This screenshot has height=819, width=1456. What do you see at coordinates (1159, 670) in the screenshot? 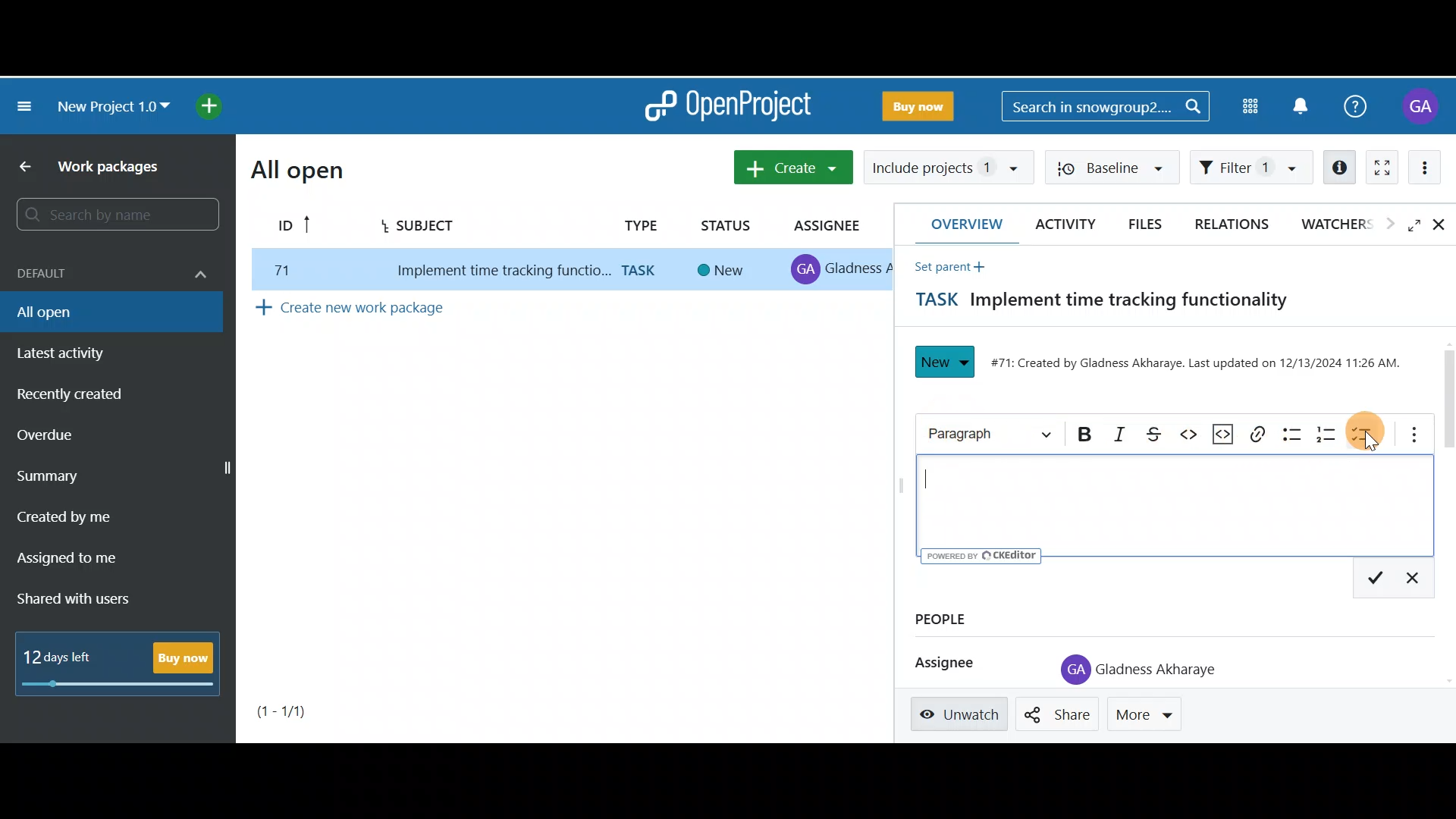
I see `Gladness Akharaye` at bounding box center [1159, 670].